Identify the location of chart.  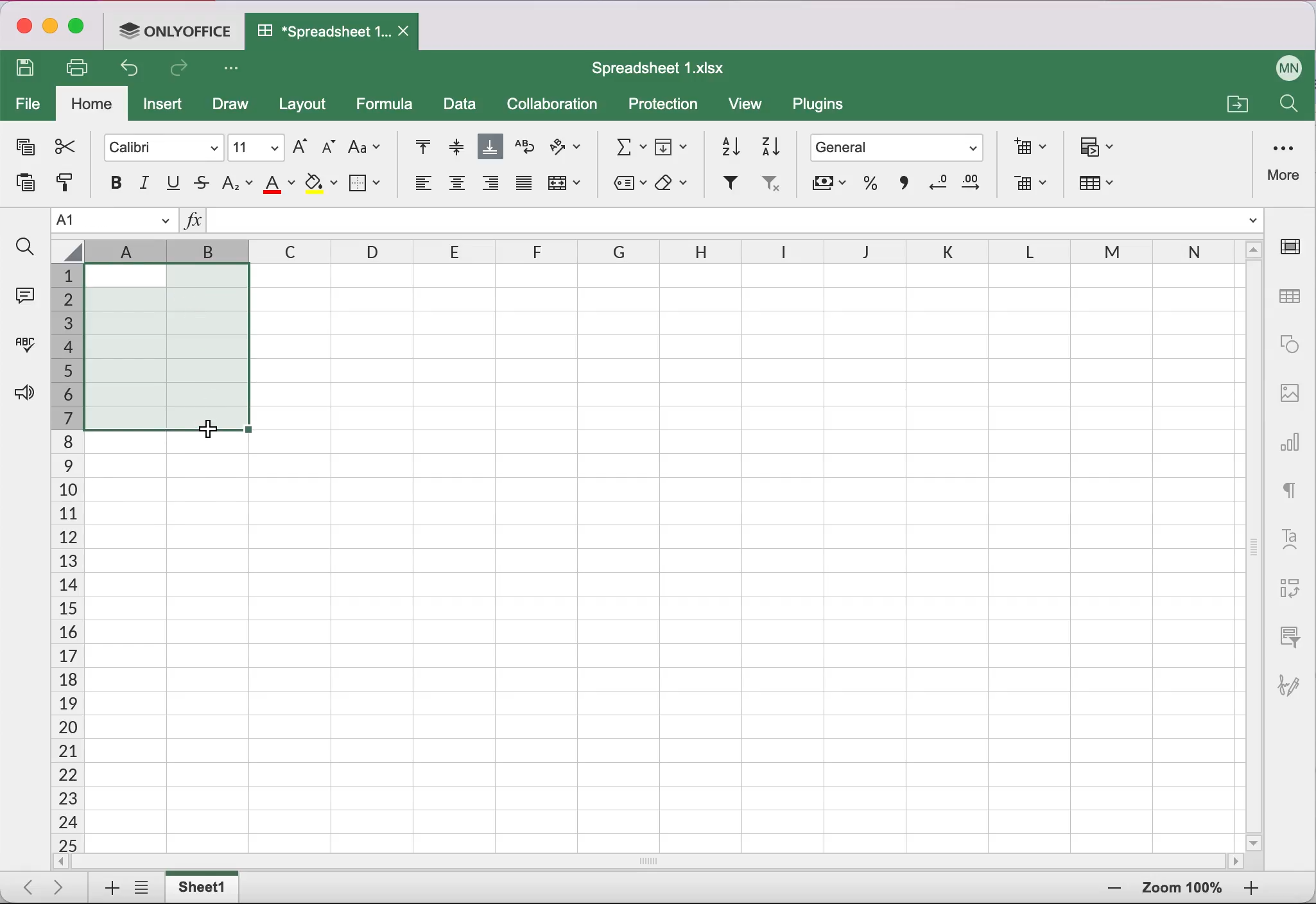
(1292, 437).